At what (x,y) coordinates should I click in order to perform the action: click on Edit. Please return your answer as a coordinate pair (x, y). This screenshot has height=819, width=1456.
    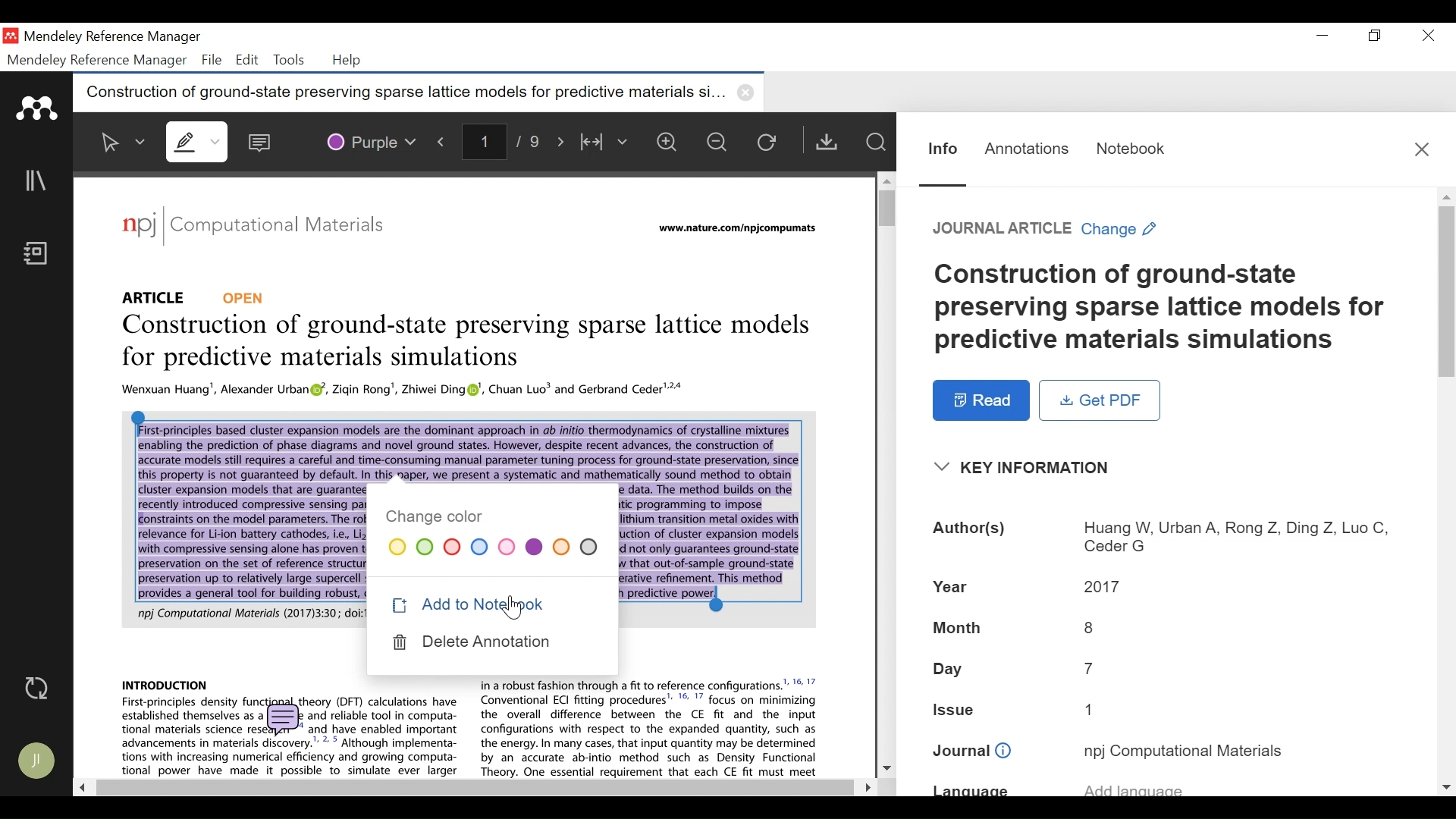
    Looking at the image, I should click on (245, 60).